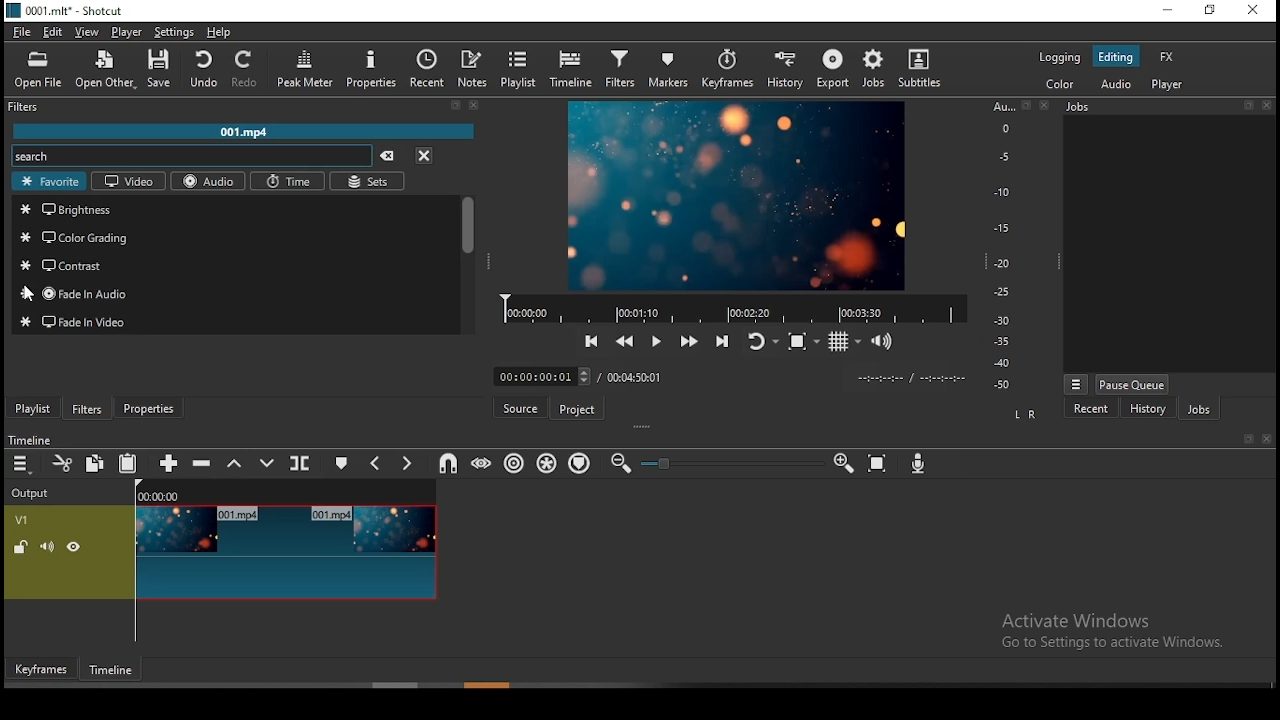 The image size is (1280, 720). I want to click on append, so click(162, 464).